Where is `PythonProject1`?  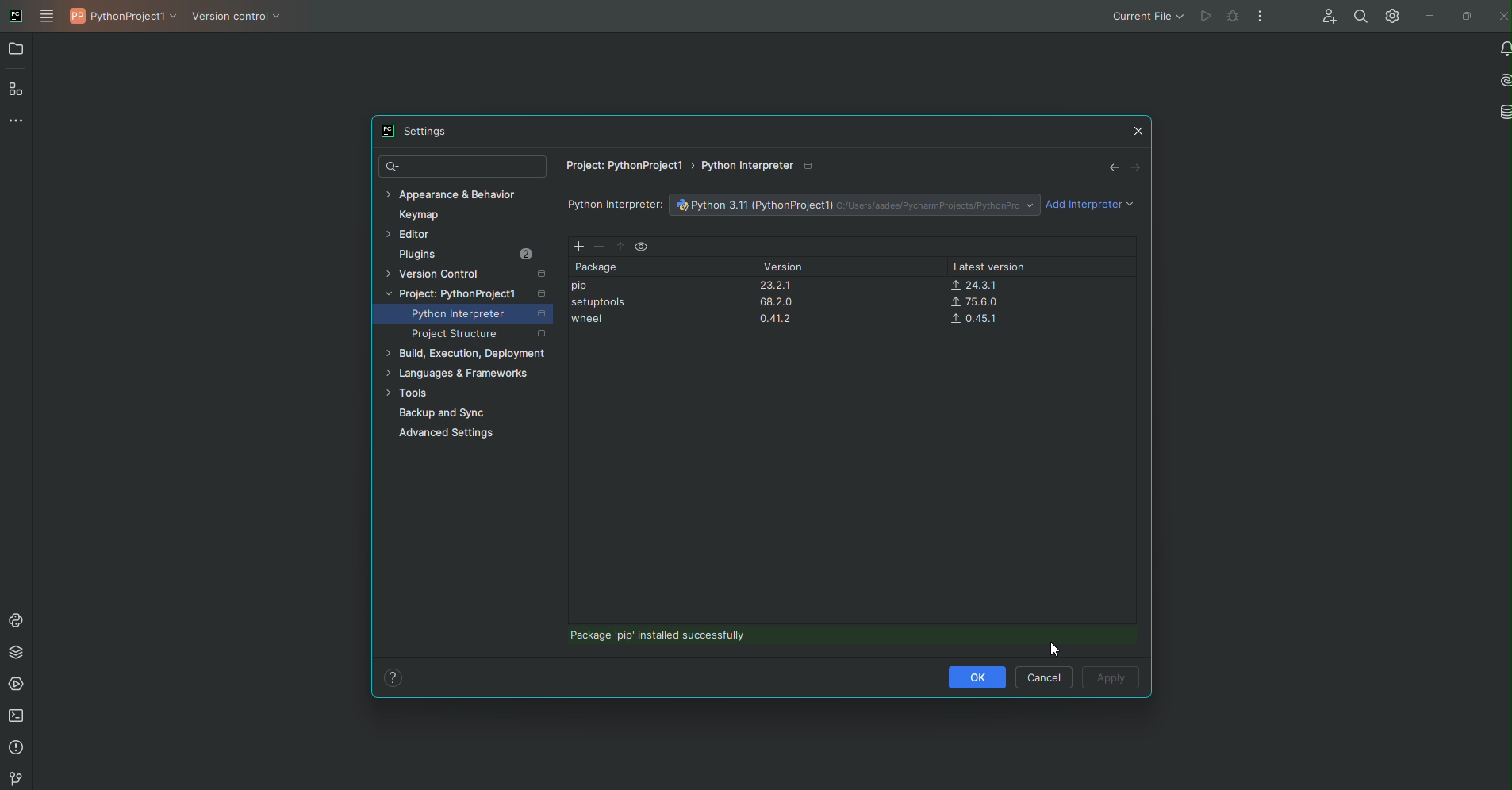
PythonProject1 is located at coordinates (125, 19).